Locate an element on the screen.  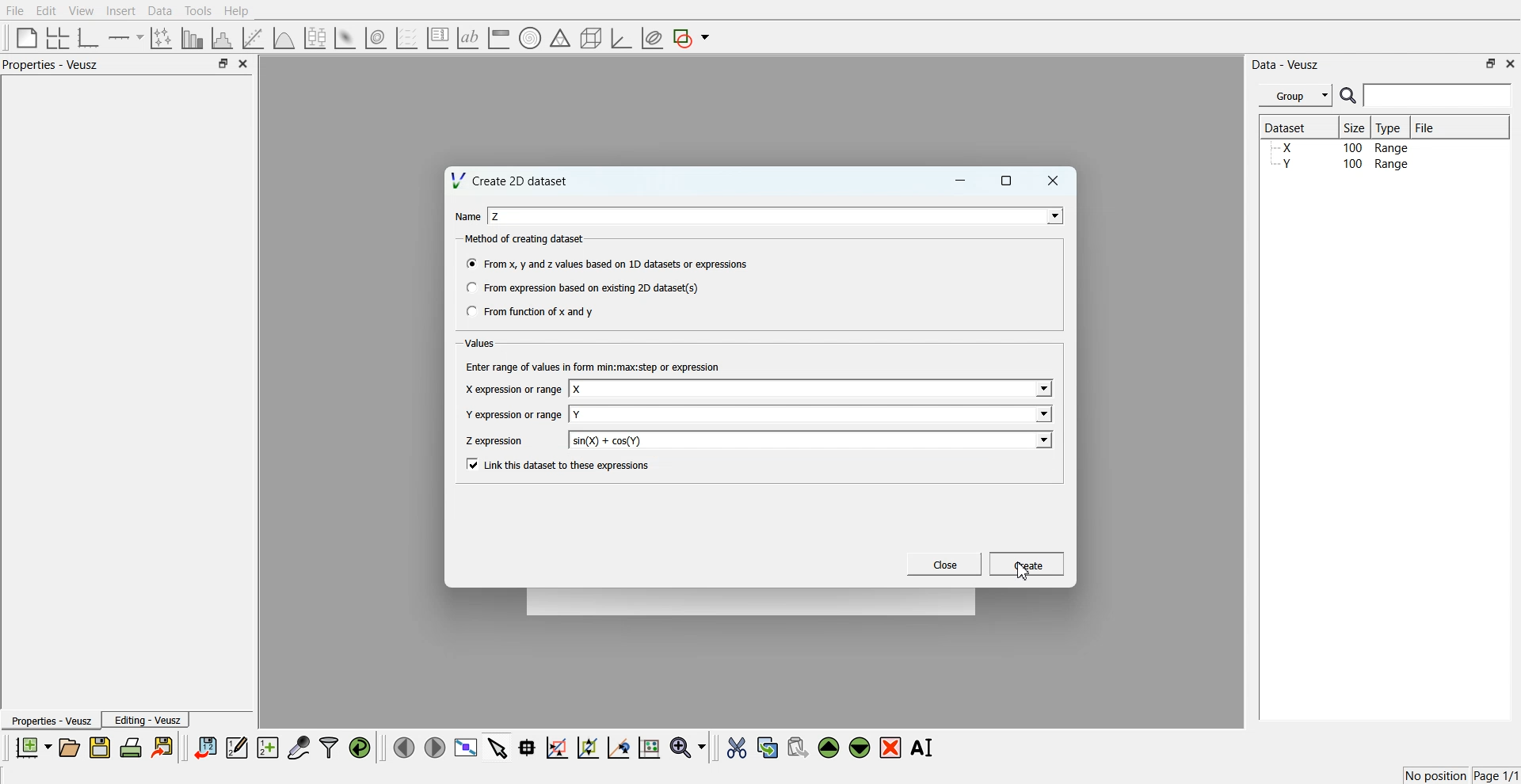
Move to the next page is located at coordinates (435, 746).